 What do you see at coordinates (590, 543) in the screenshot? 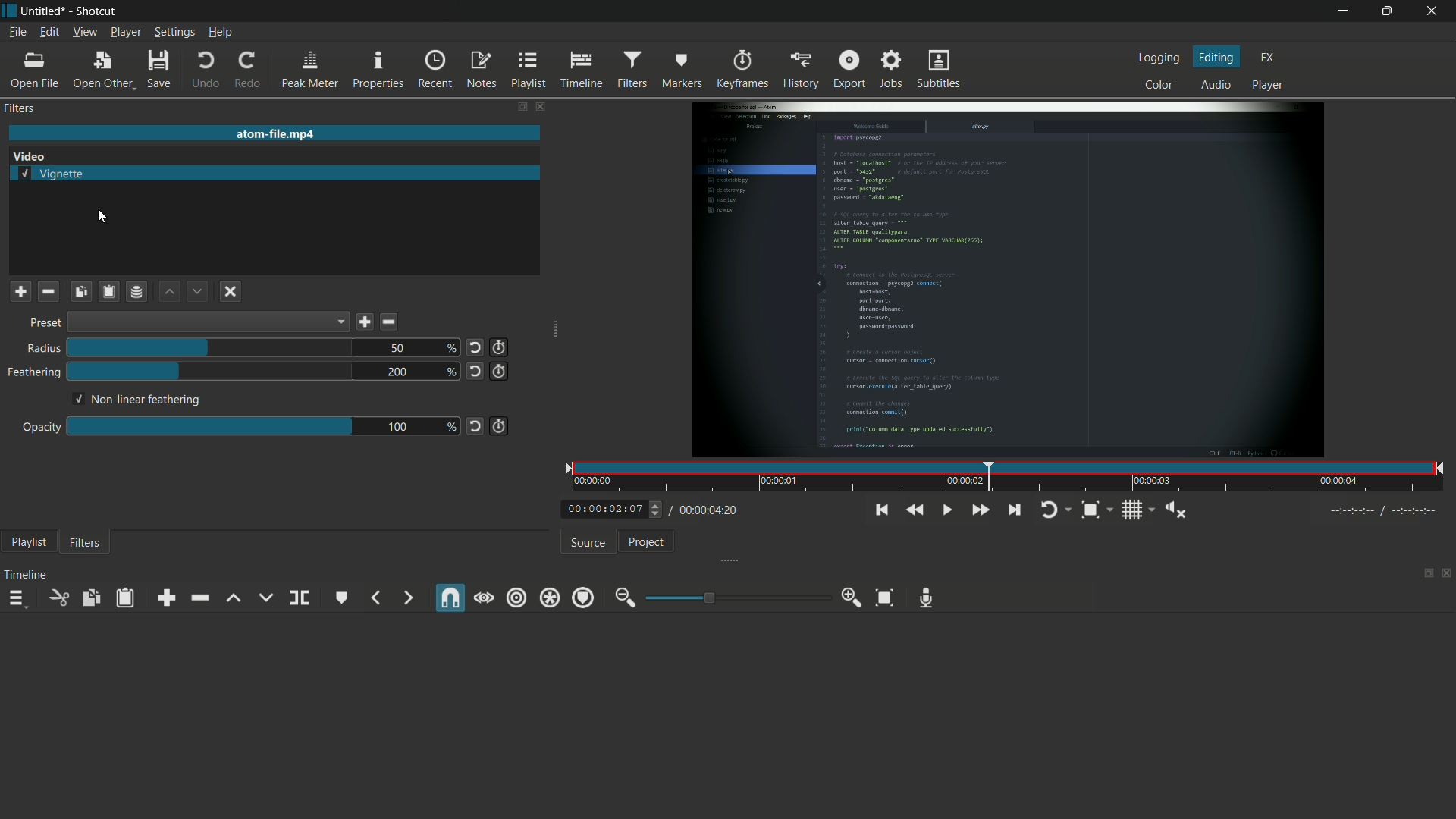
I see `source` at bounding box center [590, 543].